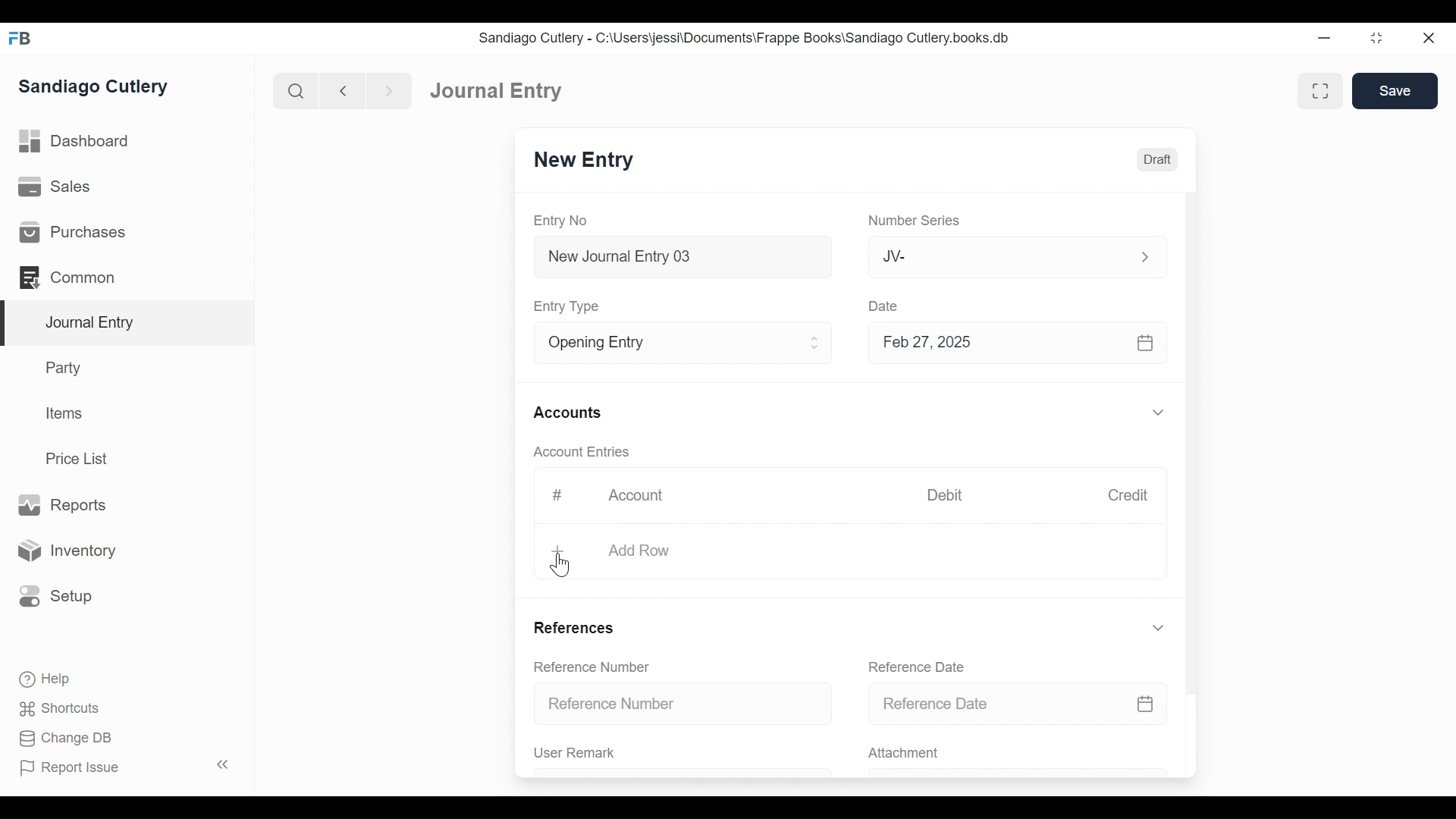 The image size is (1456, 819). What do you see at coordinates (1143, 256) in the screenshot?
I see `Expand` at bounding box center [1143, 256].